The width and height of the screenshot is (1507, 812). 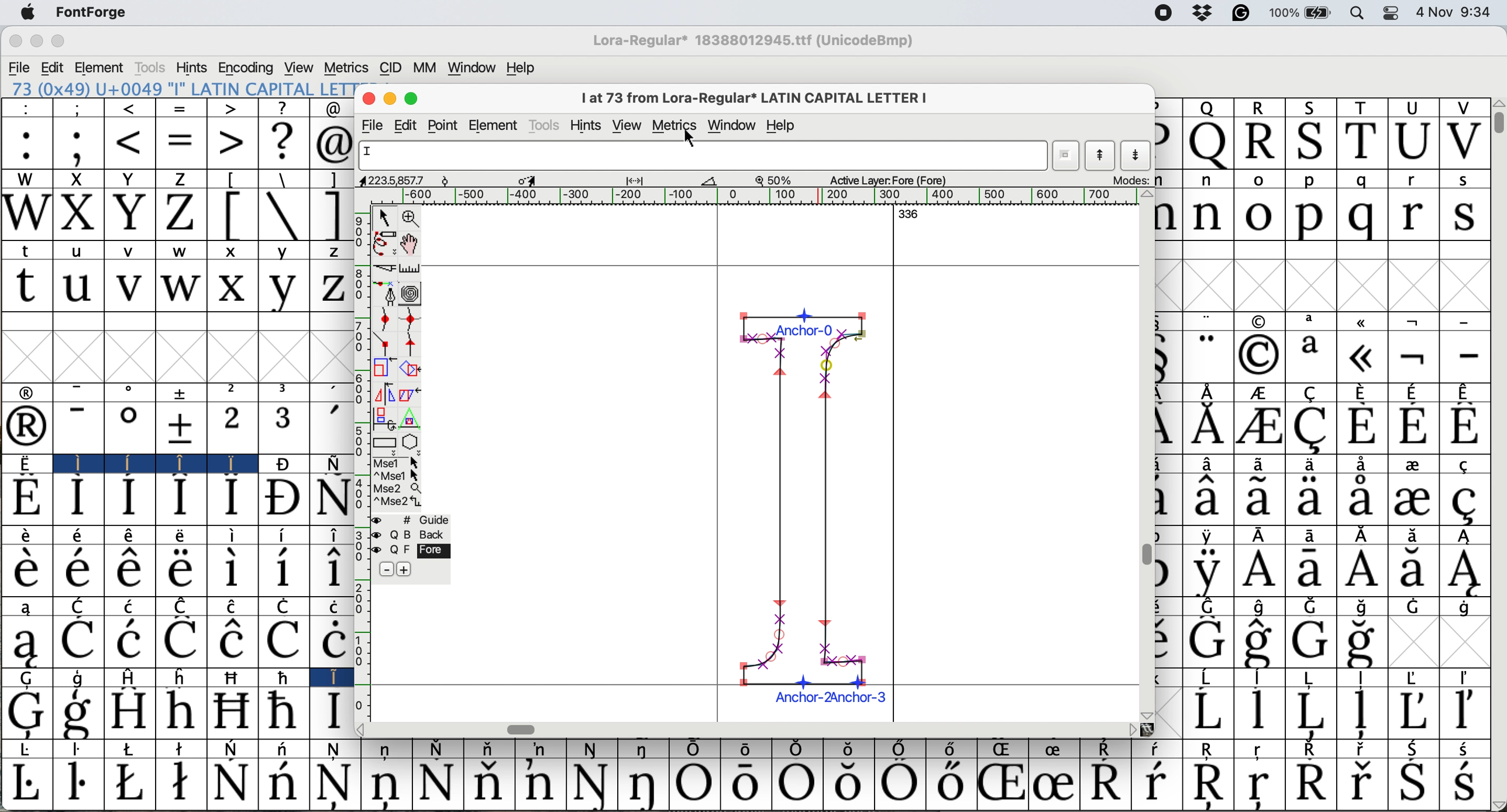 I want to click on Symbol, so click(x=180, y=570).